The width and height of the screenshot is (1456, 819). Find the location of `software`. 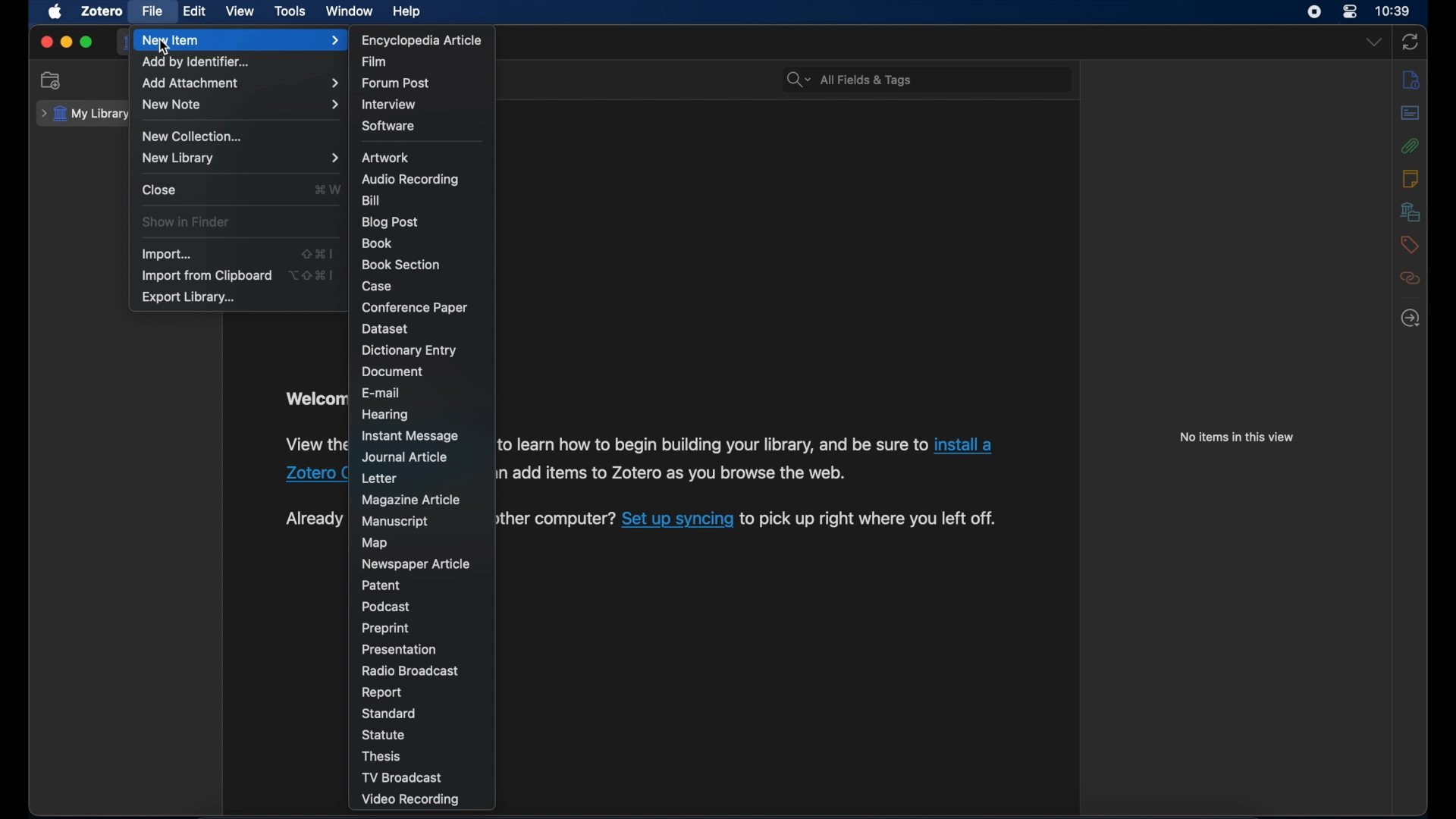

software is located at coordinates (390, 126).